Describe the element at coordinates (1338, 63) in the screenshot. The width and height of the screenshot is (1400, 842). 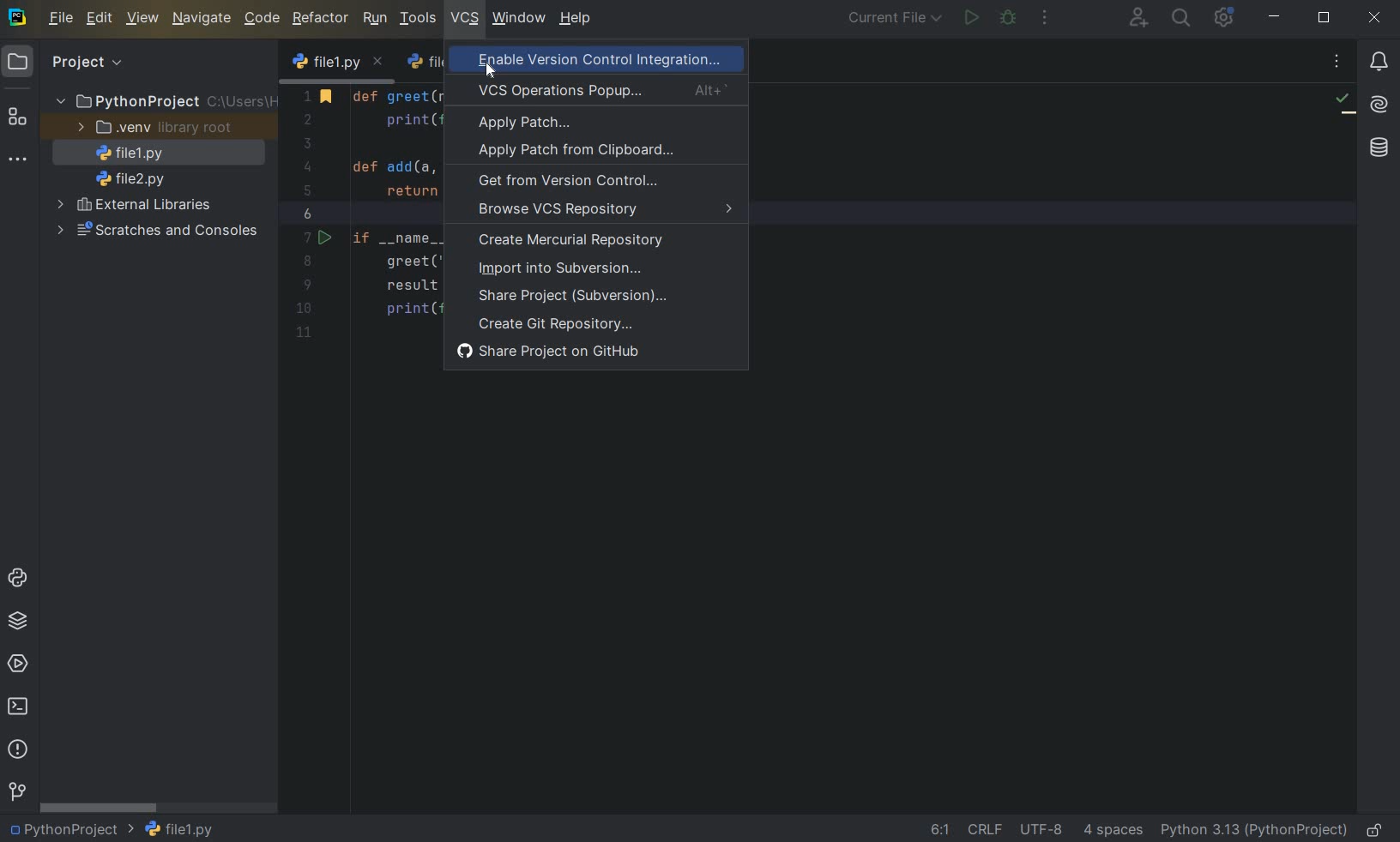
I see `recent files, tab actions` at that location.